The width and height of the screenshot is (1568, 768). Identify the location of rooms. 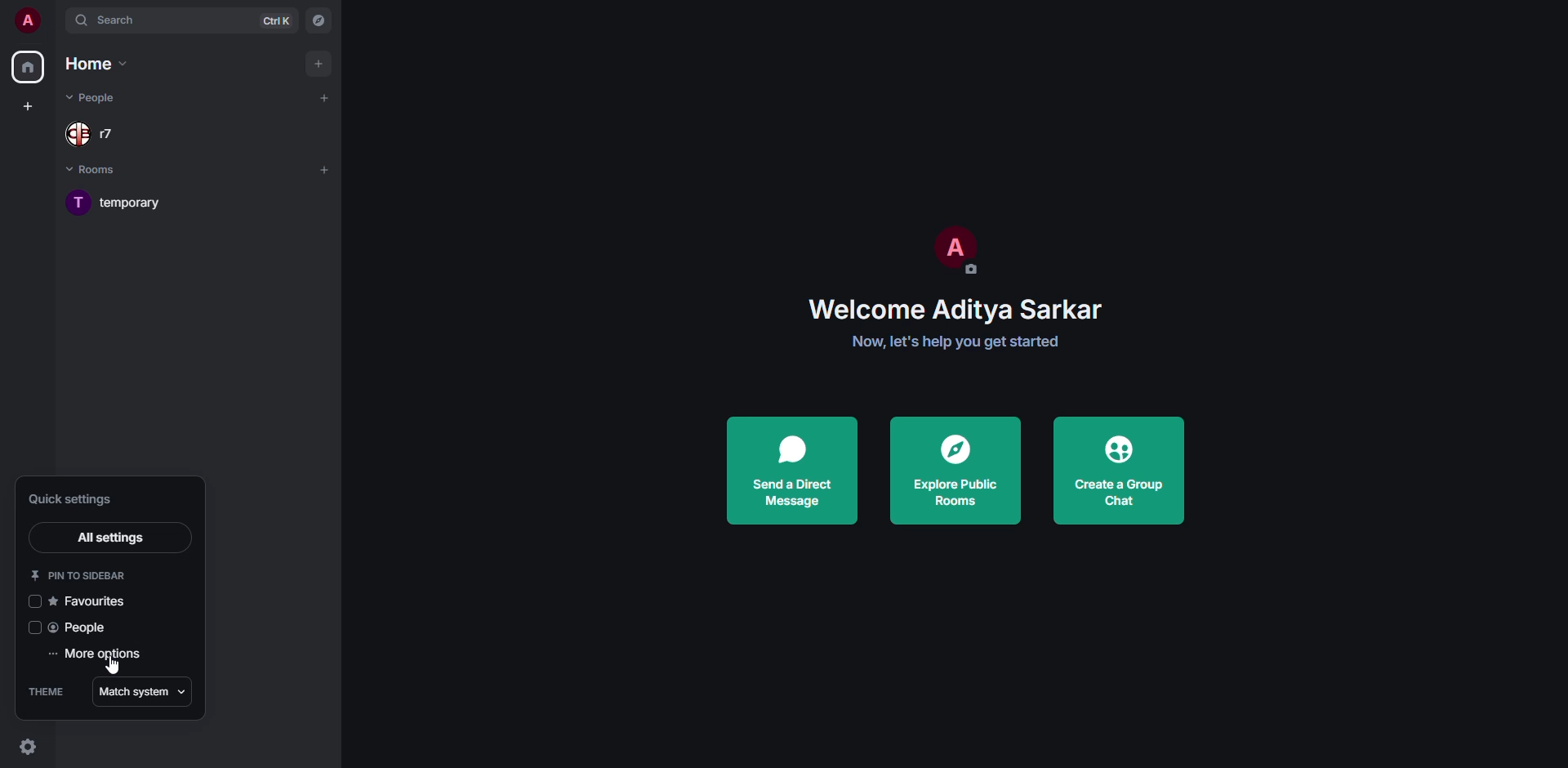
(94, 169).